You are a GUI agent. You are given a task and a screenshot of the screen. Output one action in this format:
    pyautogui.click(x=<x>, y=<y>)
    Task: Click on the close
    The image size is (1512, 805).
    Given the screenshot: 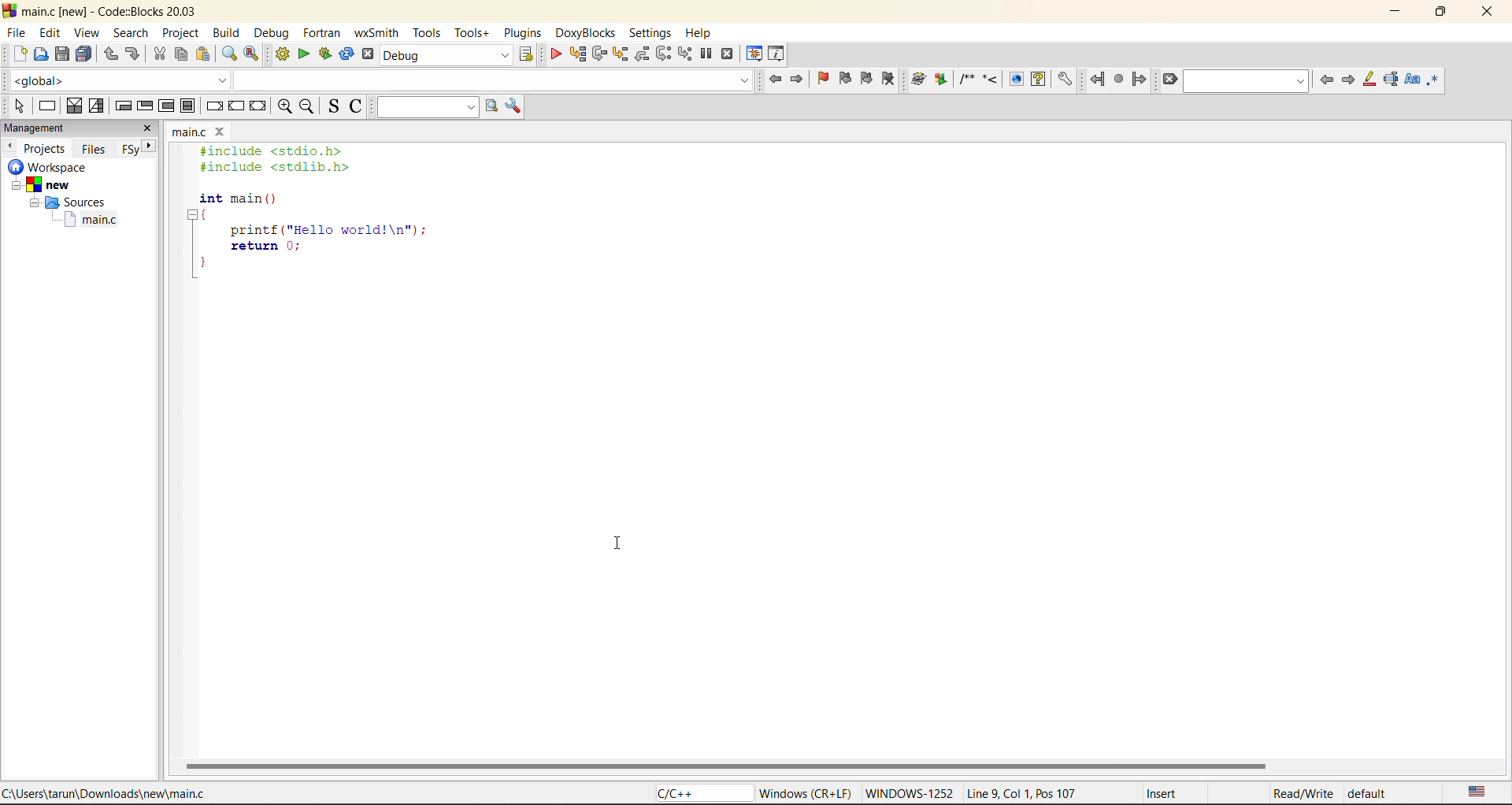 What is the action you would take?
    pyautogui.click(x=146, y=129)
    